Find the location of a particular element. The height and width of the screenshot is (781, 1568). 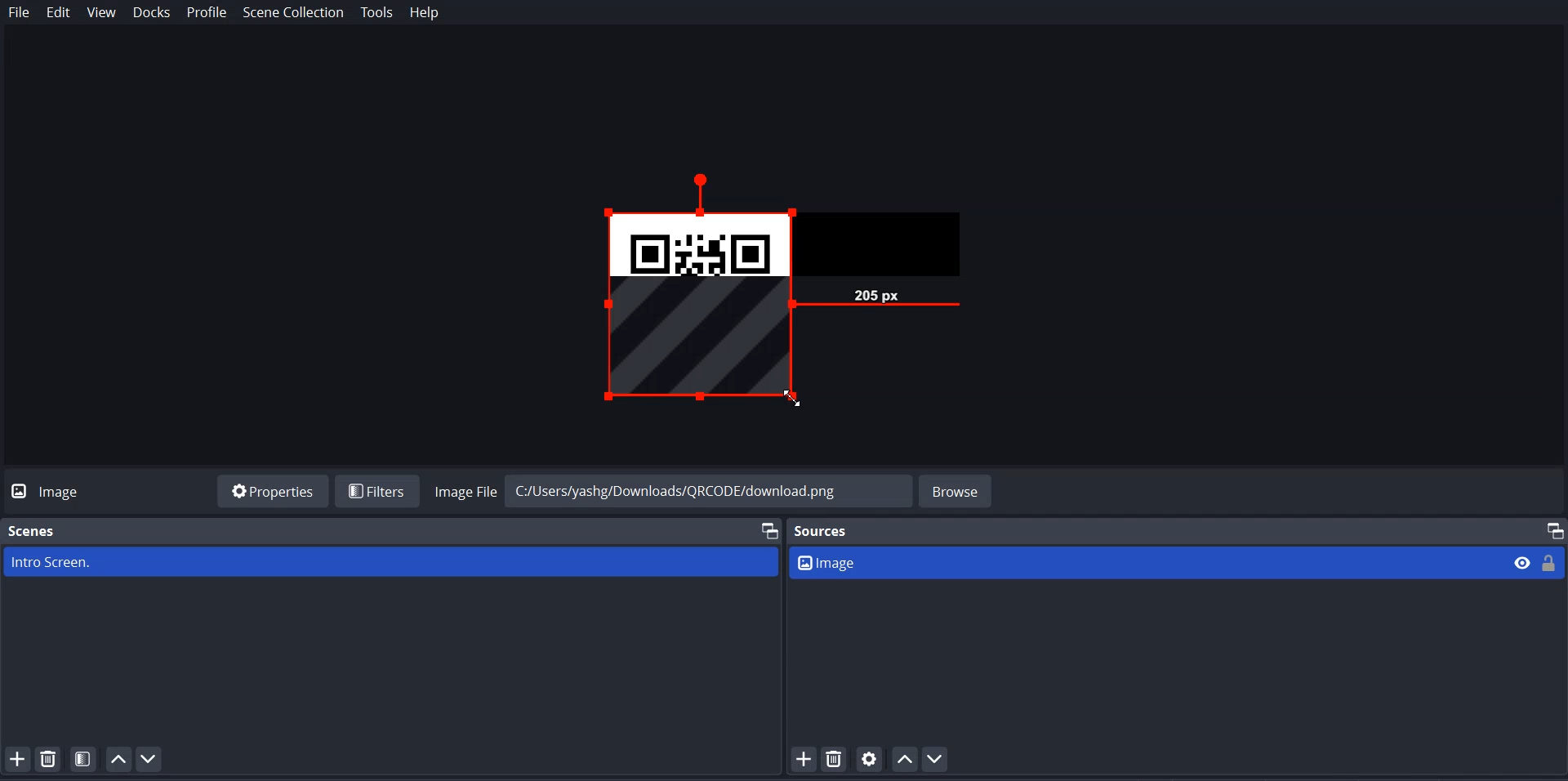

Eye is located at coordinates (1523, 562).